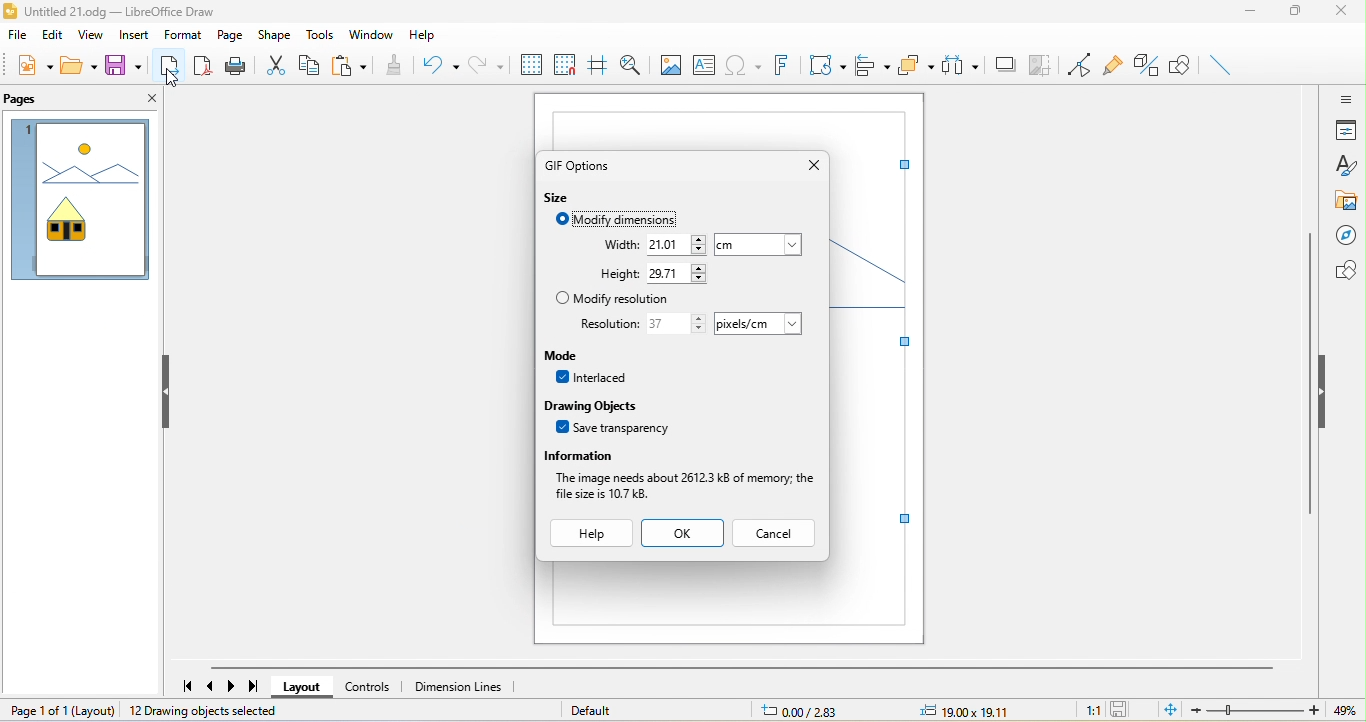 This screenshot has height=722, width=1366. Describe the element at coordinates (1342, 271) in the screenshot. I see `shapes` at that location.